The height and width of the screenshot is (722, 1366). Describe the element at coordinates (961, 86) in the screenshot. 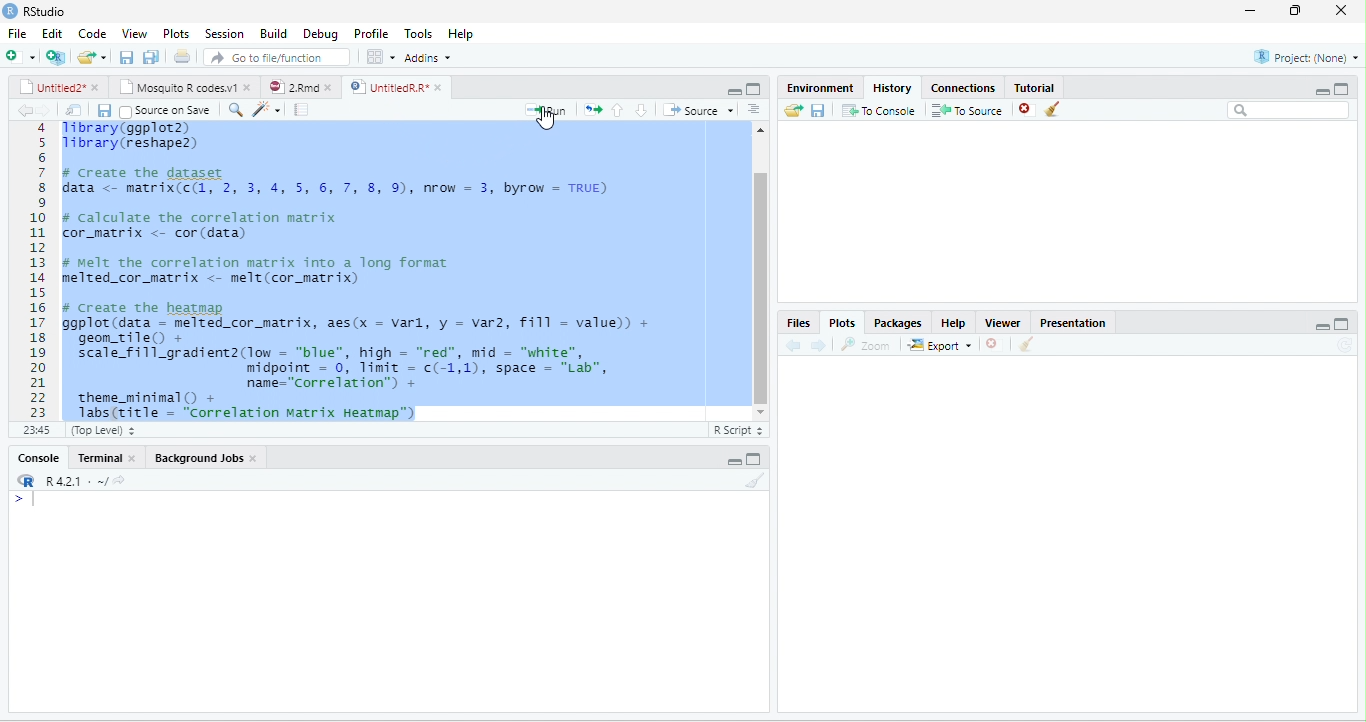

I see `connections` at that location.